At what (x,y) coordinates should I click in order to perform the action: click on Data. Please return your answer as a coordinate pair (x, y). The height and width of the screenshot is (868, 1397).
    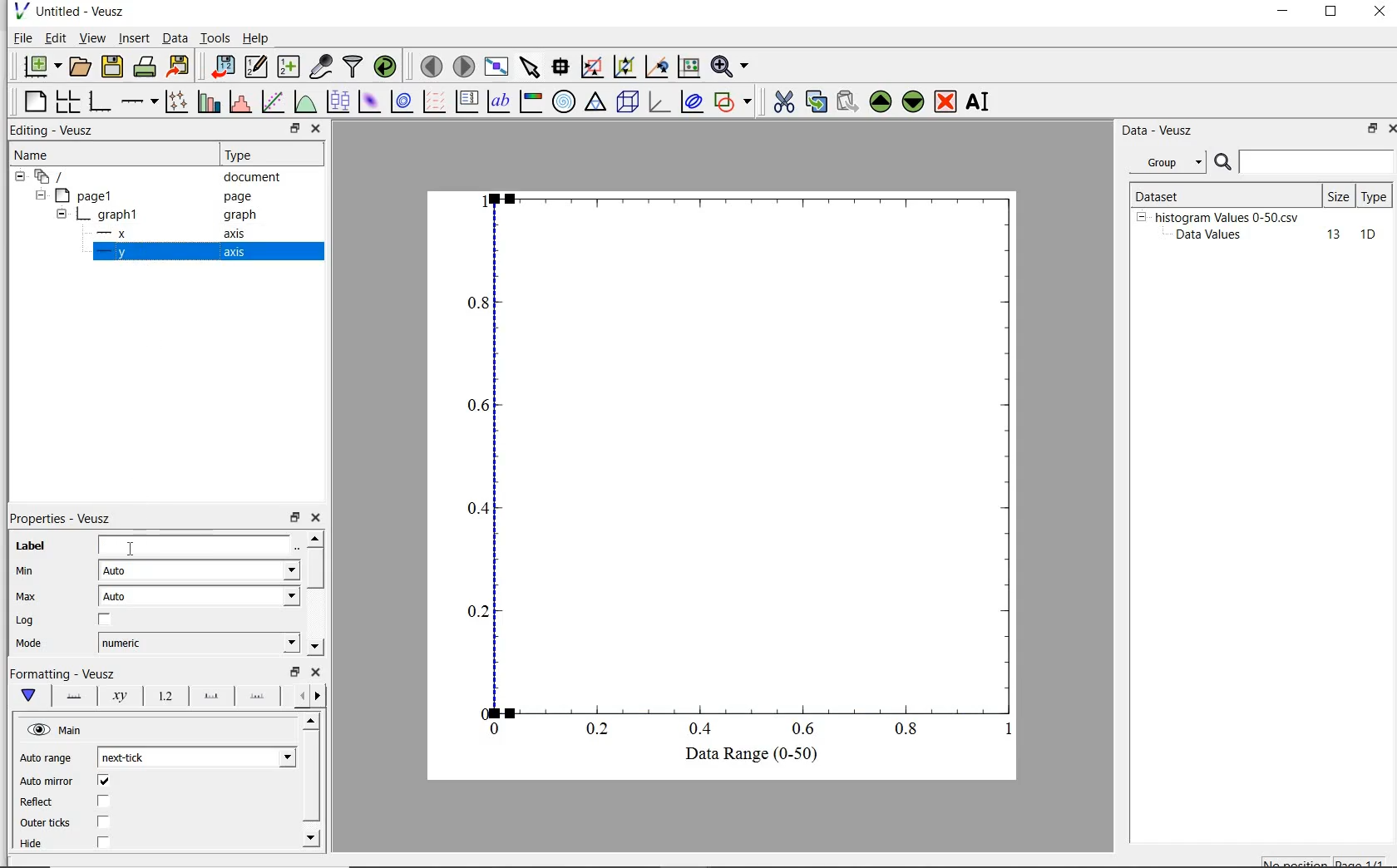
    Looking at the image, I should click on (175, 37).